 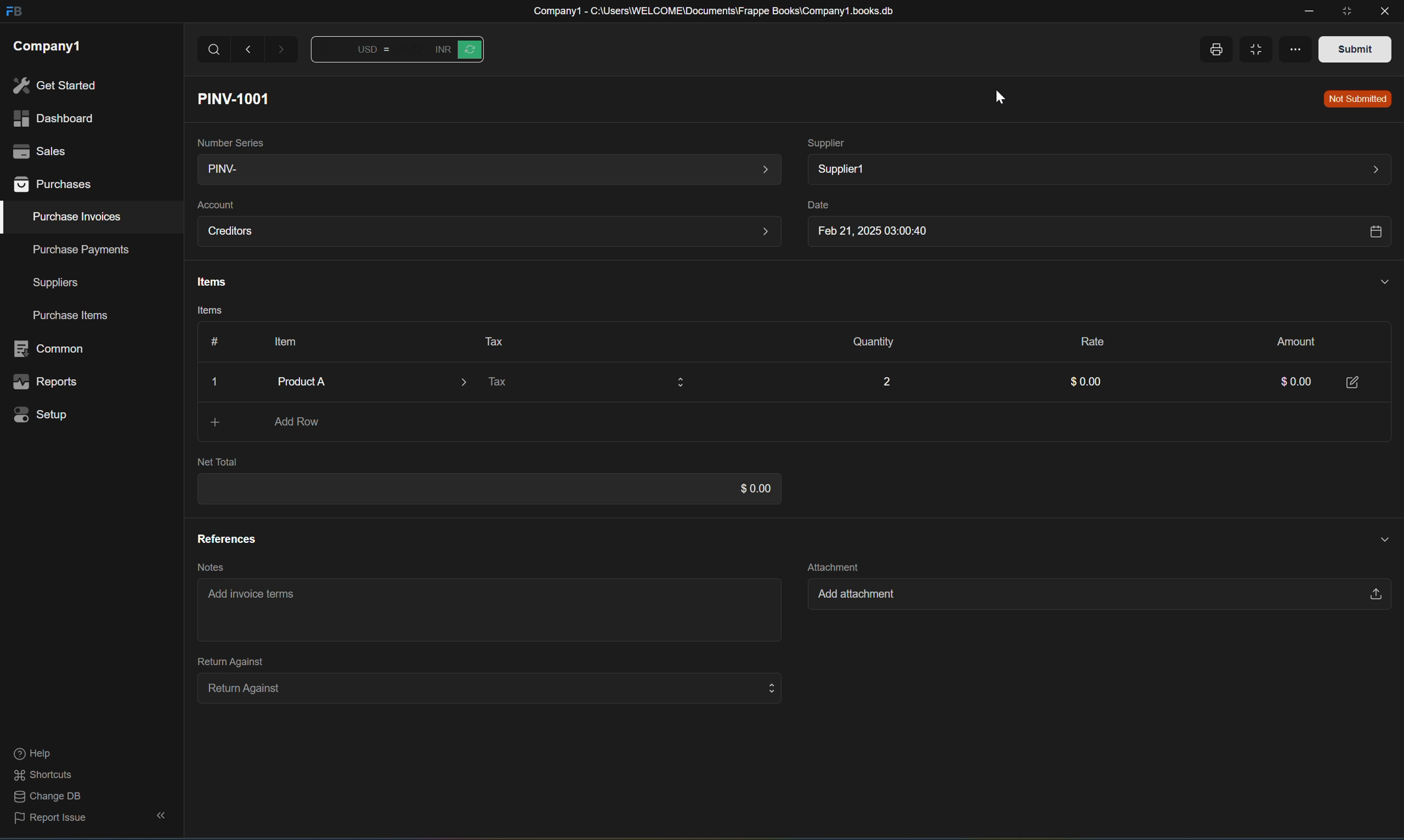 I want to click on Close, so click(x=217, y=383).